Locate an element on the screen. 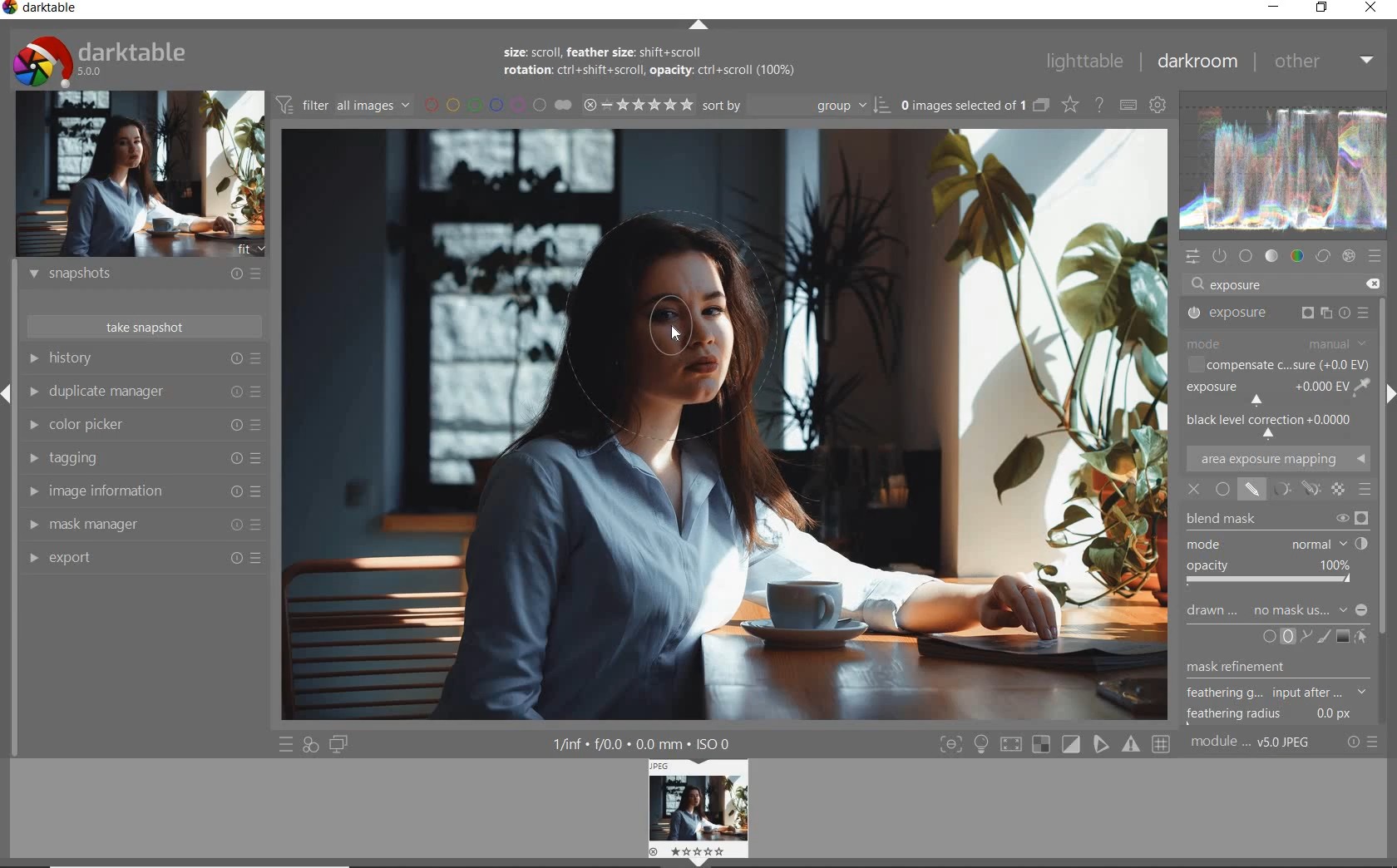 This screenshot has width=1397, height=868. ADD BRUSH is located at coordinates (1322, 637).